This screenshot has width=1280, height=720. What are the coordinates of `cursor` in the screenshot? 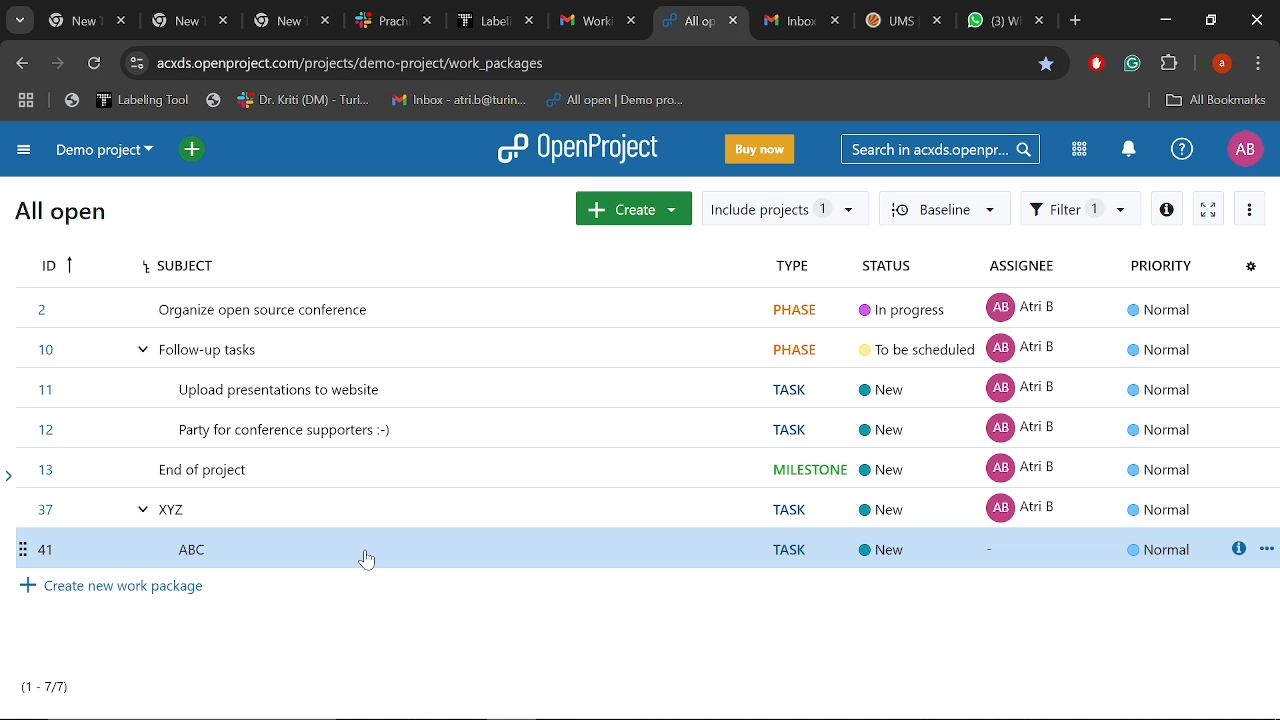 It's located at (368, 562).